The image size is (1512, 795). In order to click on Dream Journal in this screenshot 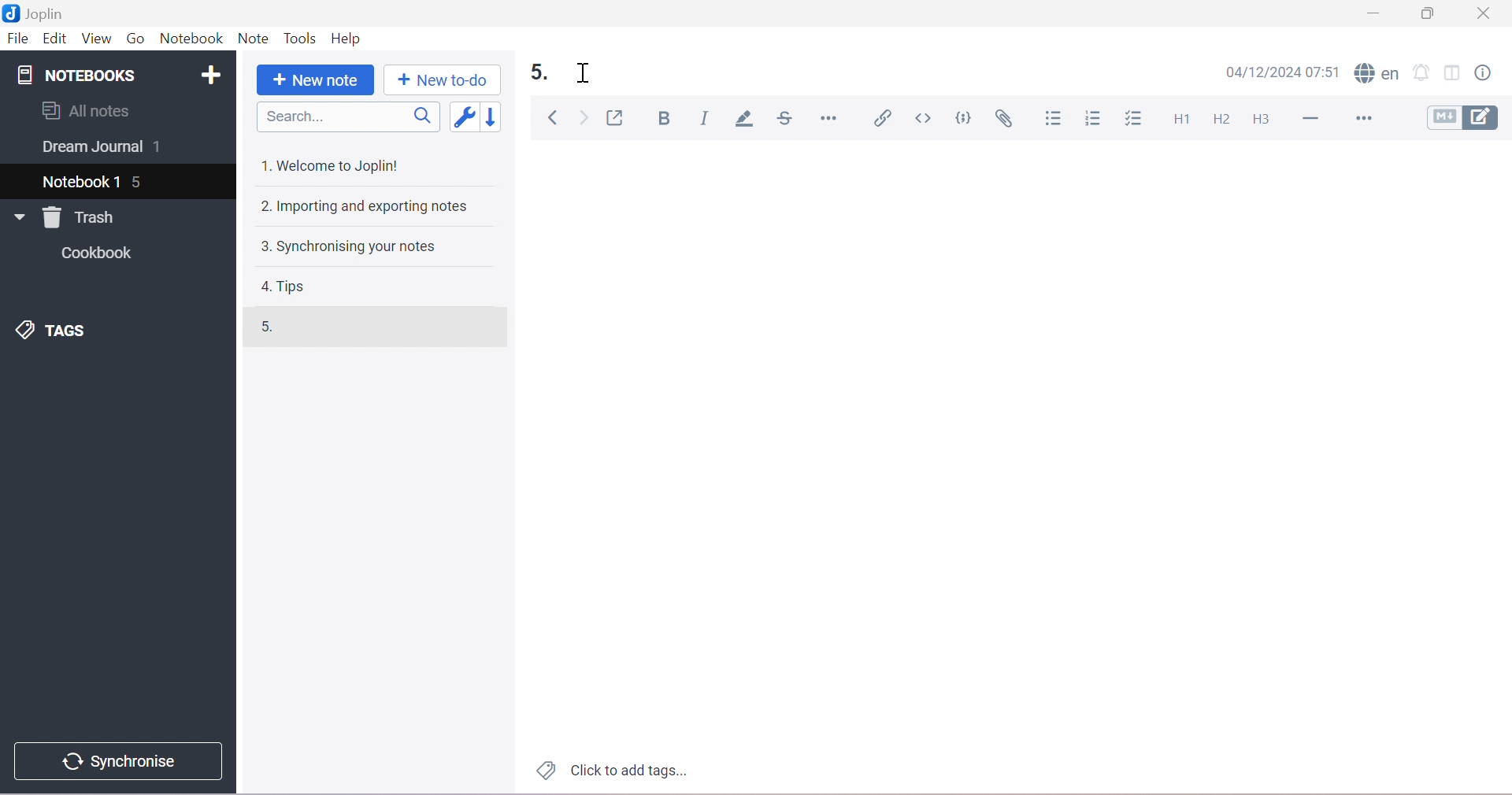, I will do `click(91, 150)`.